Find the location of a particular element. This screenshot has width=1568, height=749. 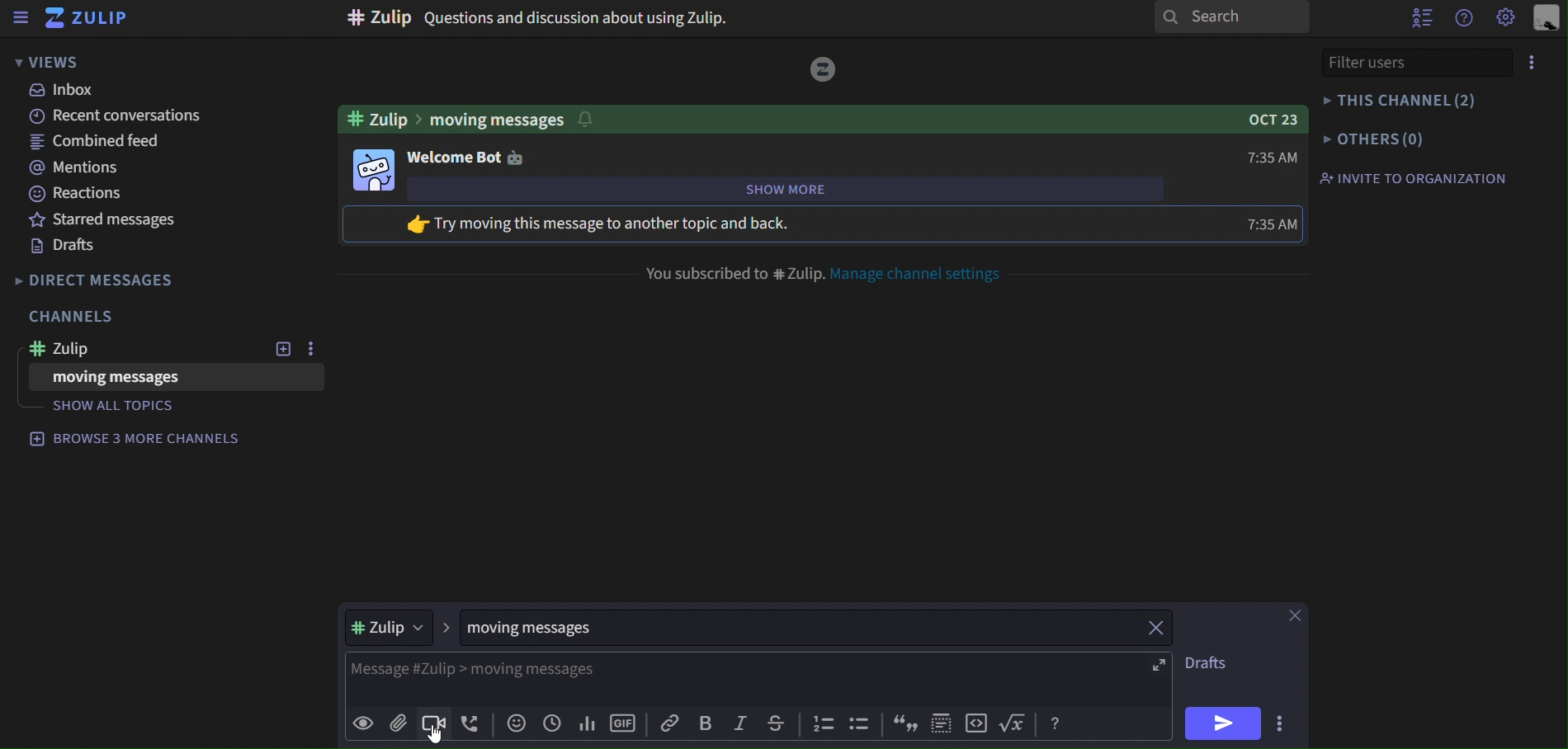

recent conversations is located at coordinates (122, 118).